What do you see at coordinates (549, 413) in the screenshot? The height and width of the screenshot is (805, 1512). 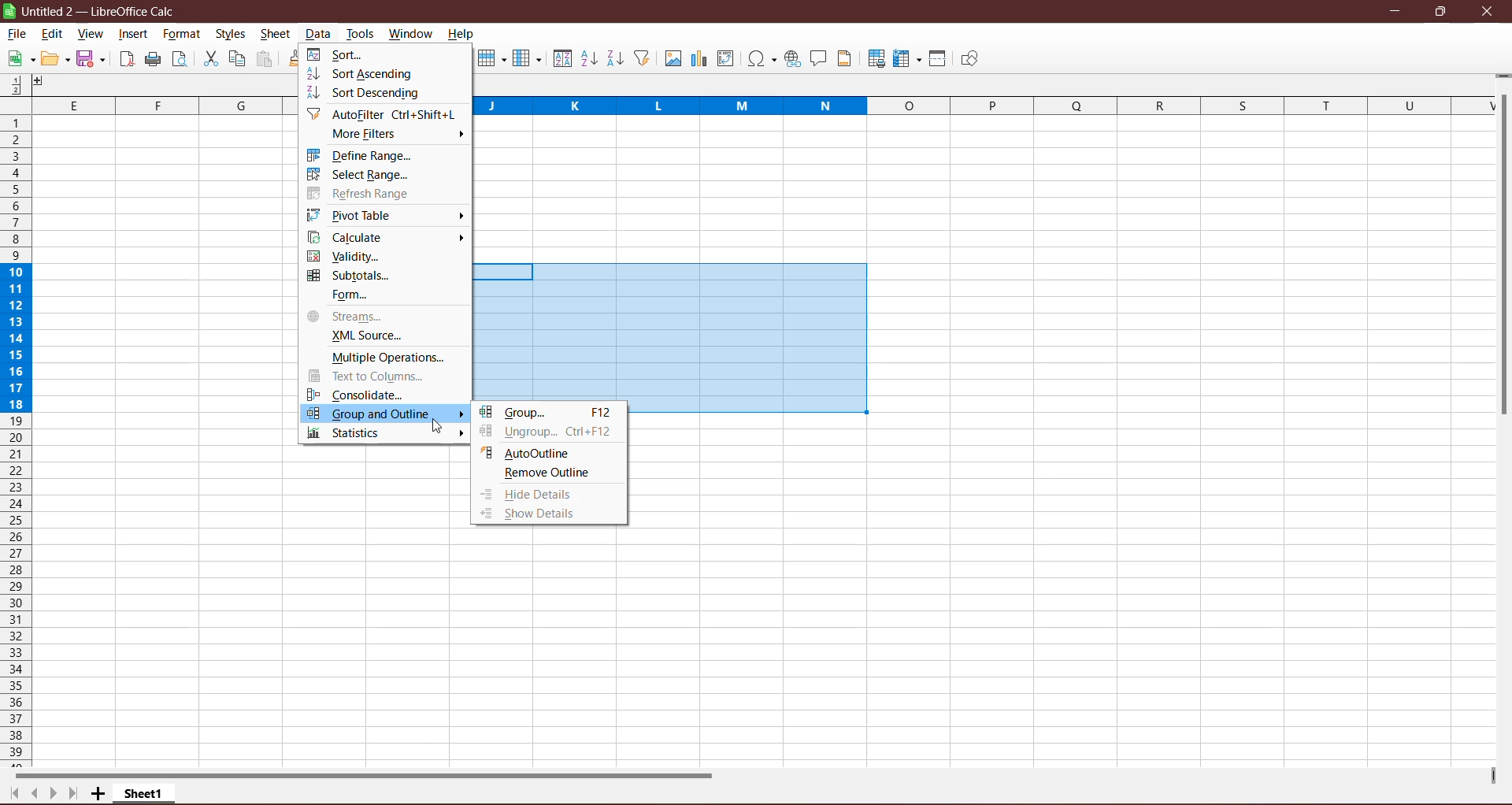 I see `Group` at bounding box center [549, 413].